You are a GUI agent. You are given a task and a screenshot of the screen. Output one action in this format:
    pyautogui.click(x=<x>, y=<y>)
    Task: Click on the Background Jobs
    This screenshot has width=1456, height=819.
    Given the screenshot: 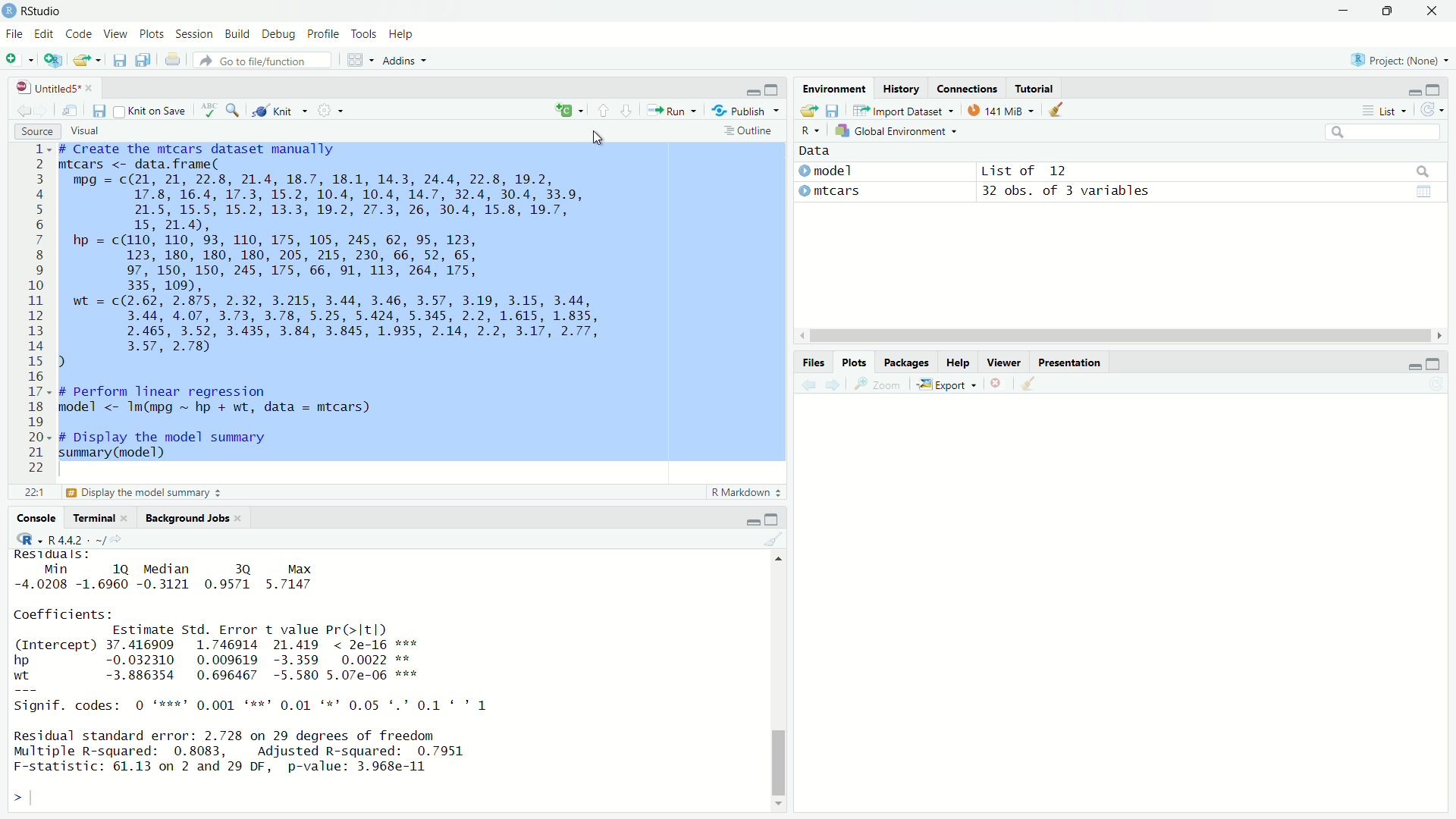 What is the action you would take?
    pyautogui.click(x=189, y=519)
    